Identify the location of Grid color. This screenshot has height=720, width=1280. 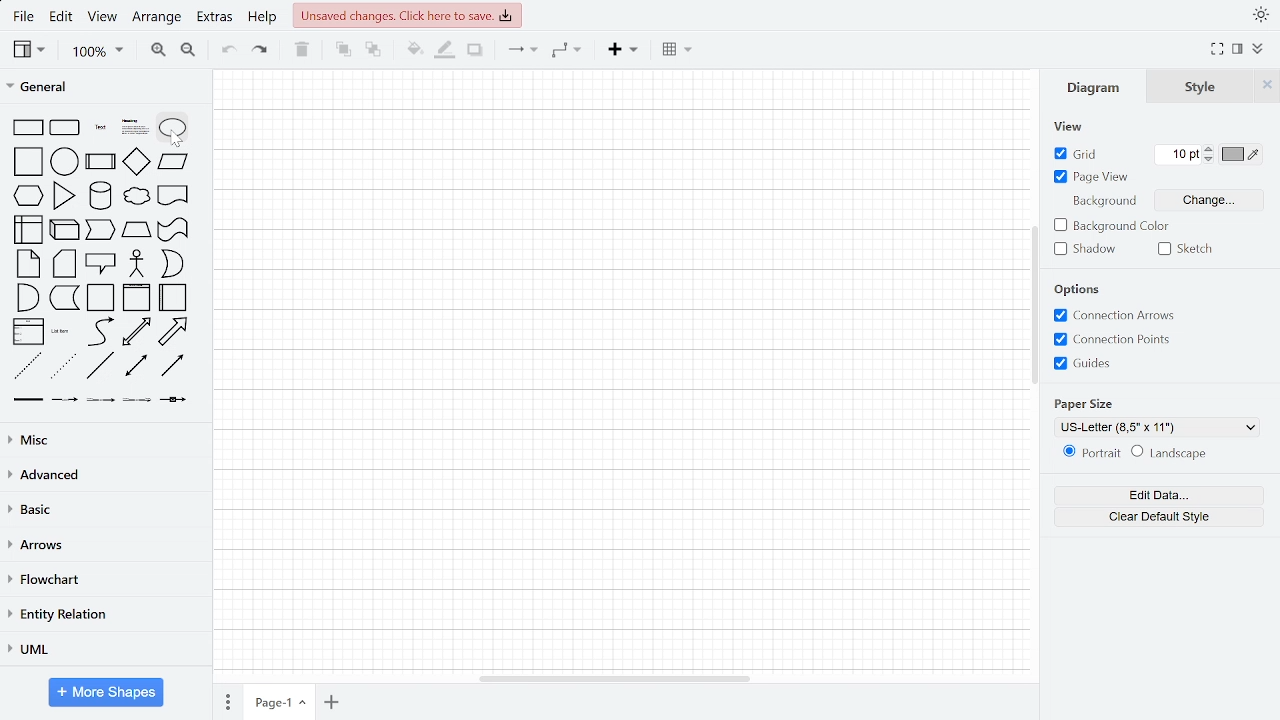
(1244, 155).